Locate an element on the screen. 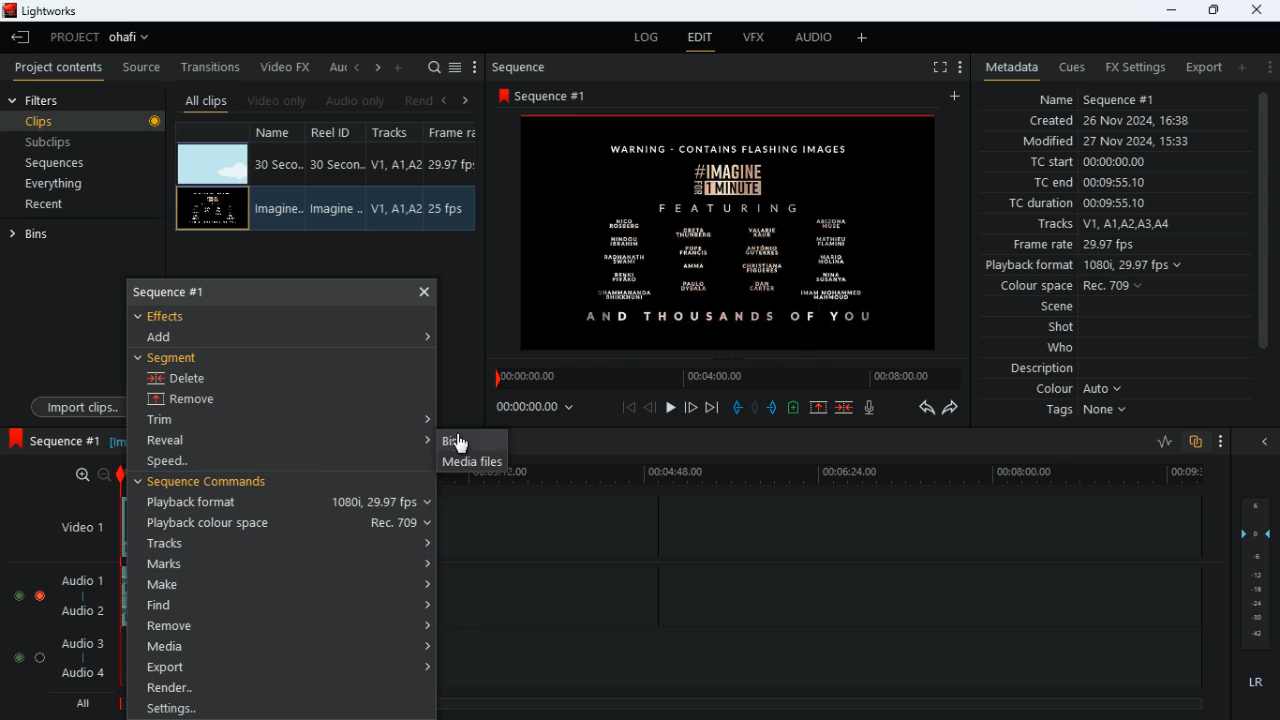 The width and height of the screenshot is (1280, 720). project contents is located at coordinates (63, 68).